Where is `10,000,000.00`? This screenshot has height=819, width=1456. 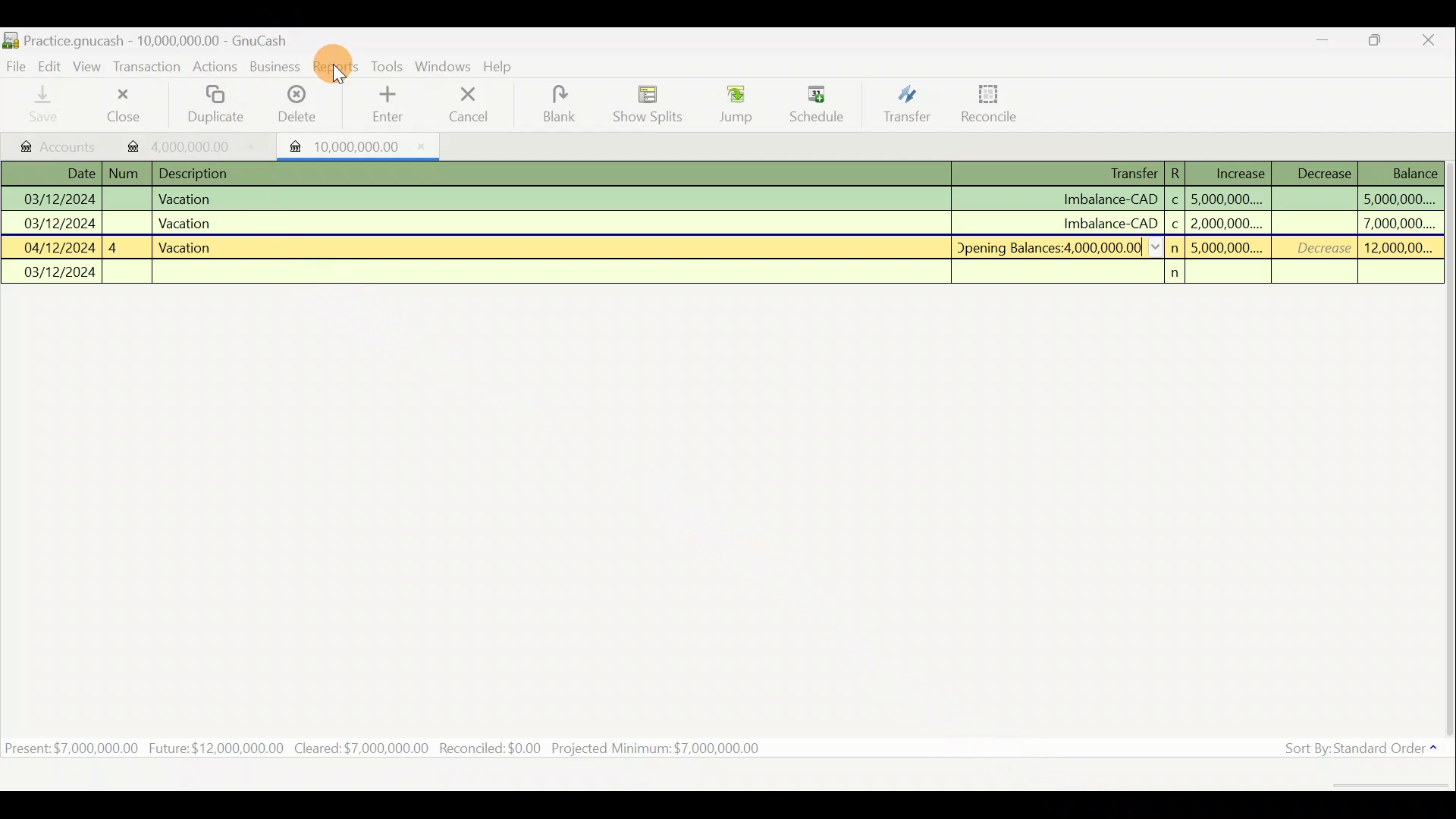
10,000,000.00 is located at coordinates (360, 145).